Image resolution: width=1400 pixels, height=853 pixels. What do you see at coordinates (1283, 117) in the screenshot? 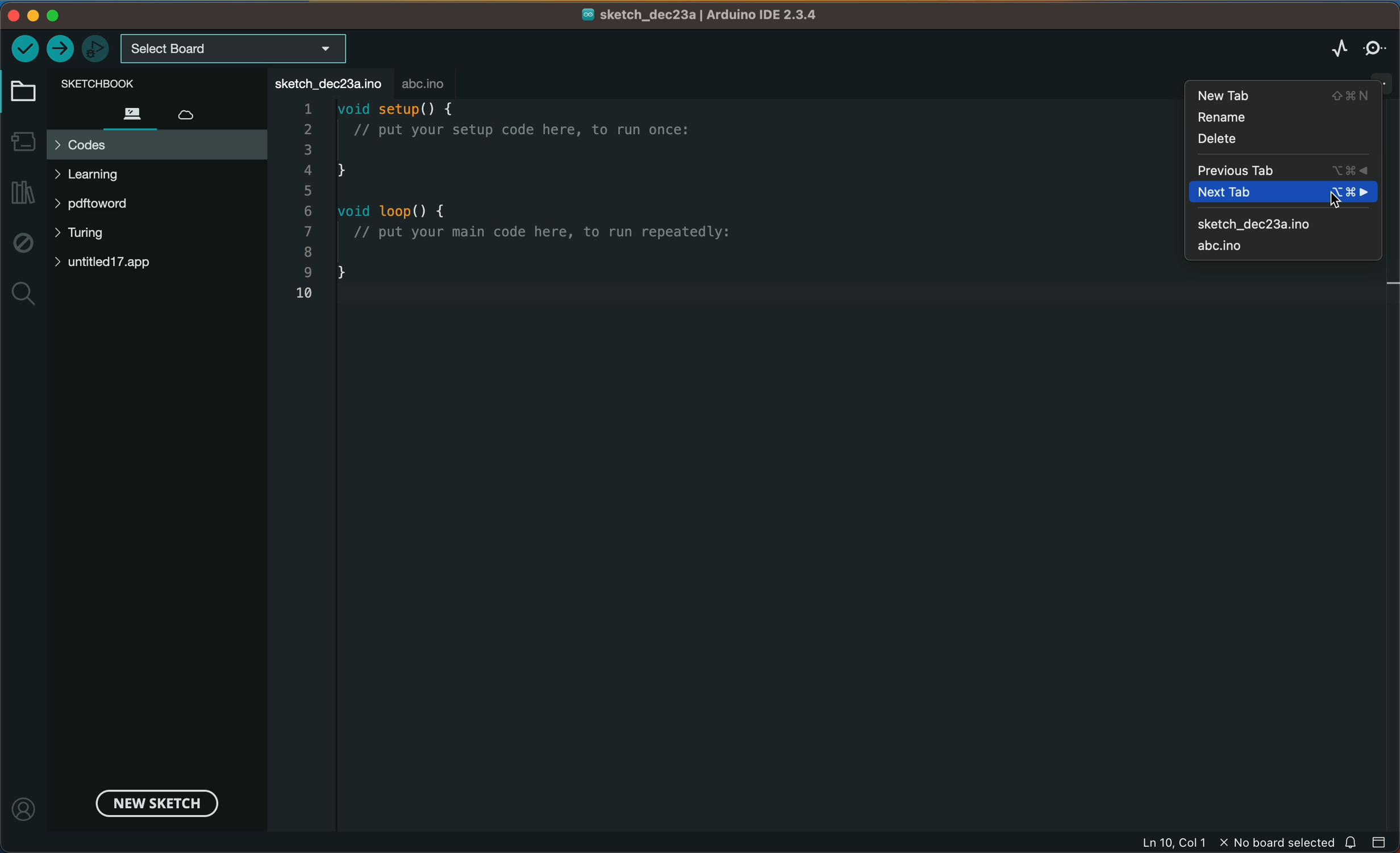
I see `rename` at bounding box center [1283, 117].